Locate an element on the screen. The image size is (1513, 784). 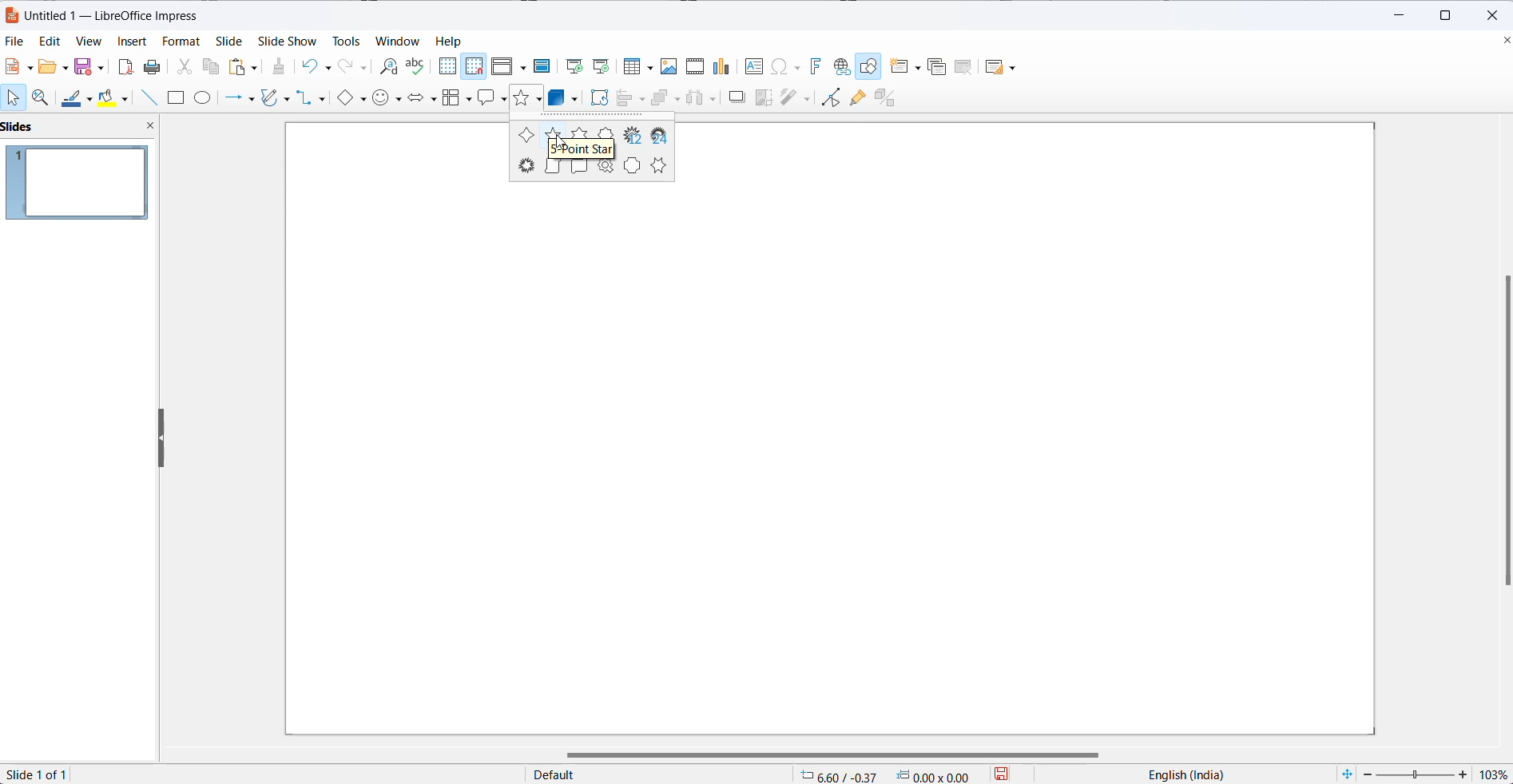
open is located at coordinates (53, 66).